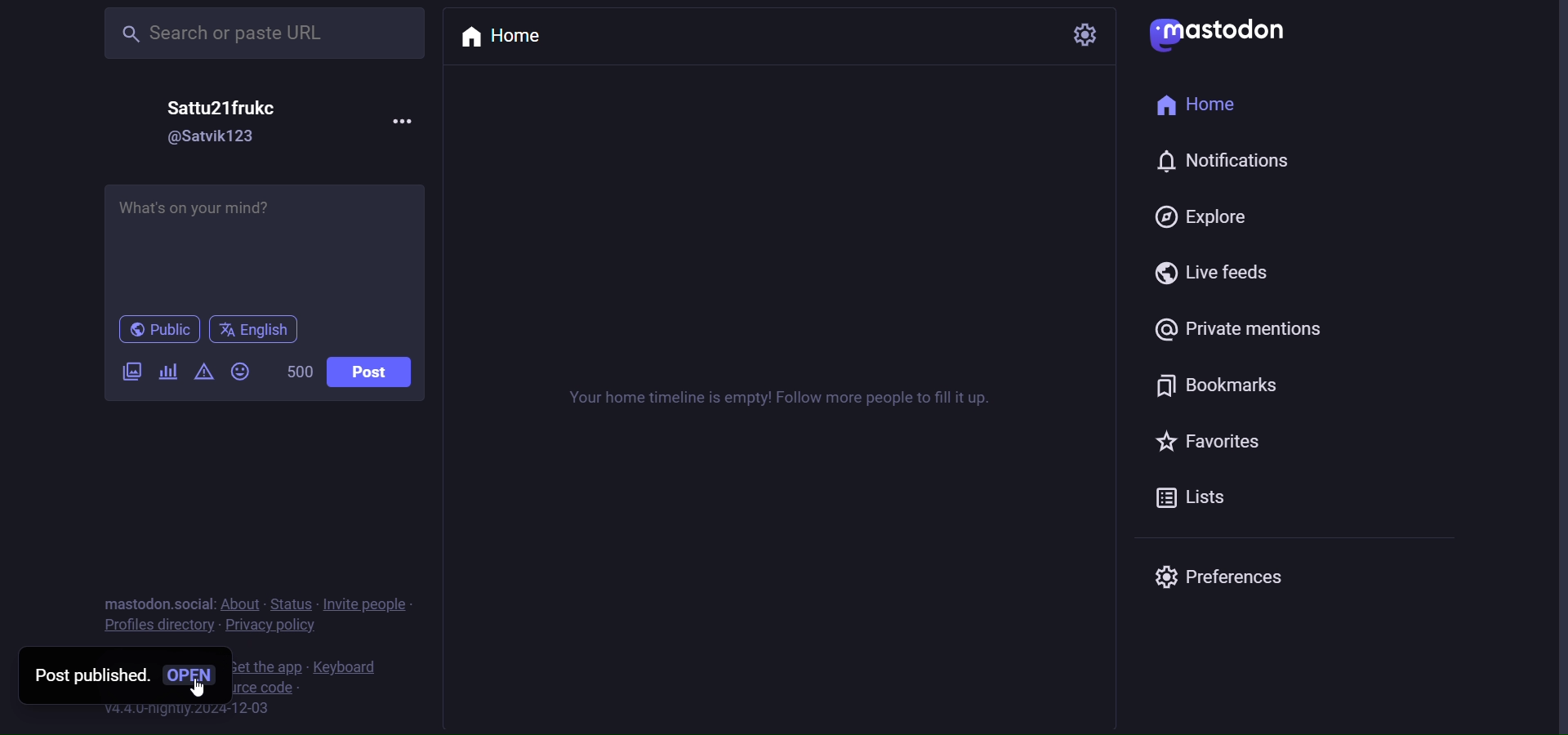  What do you see at coordinates (241, 372) in the screenshot?
I see `emoji` at bounding box center [241, 372].